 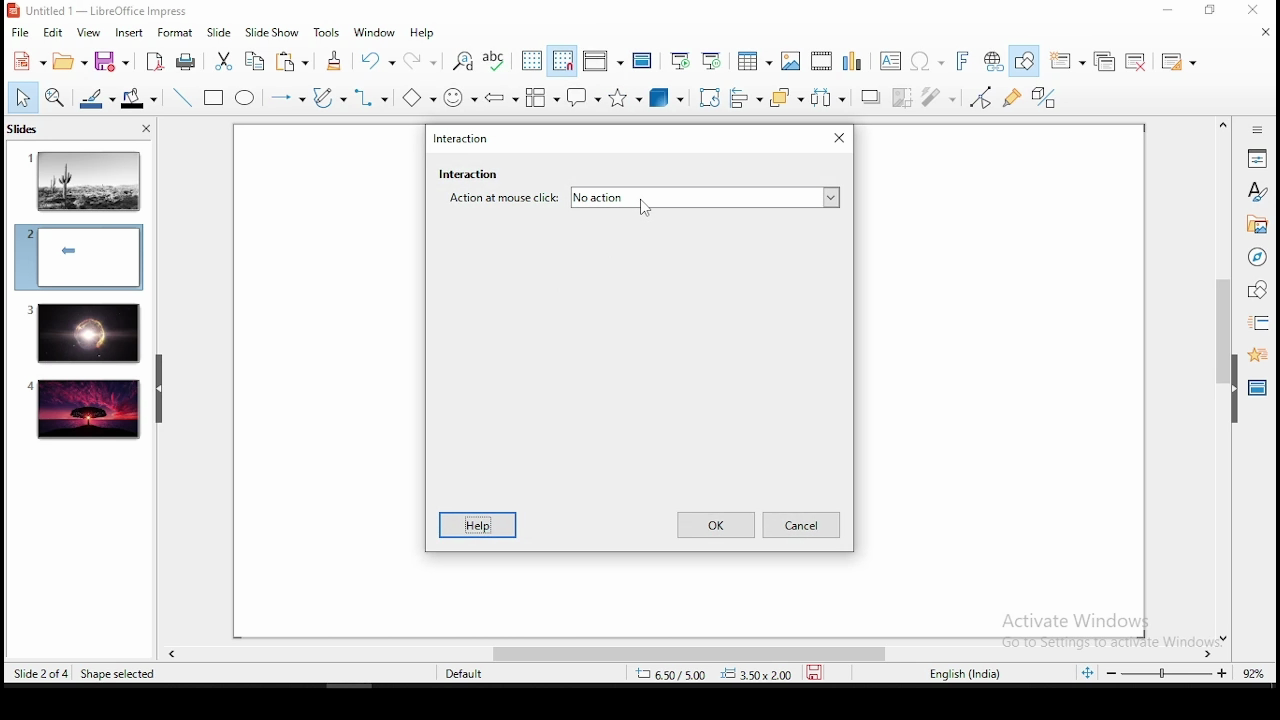 I want to click on select, so click(x=23, y=97).